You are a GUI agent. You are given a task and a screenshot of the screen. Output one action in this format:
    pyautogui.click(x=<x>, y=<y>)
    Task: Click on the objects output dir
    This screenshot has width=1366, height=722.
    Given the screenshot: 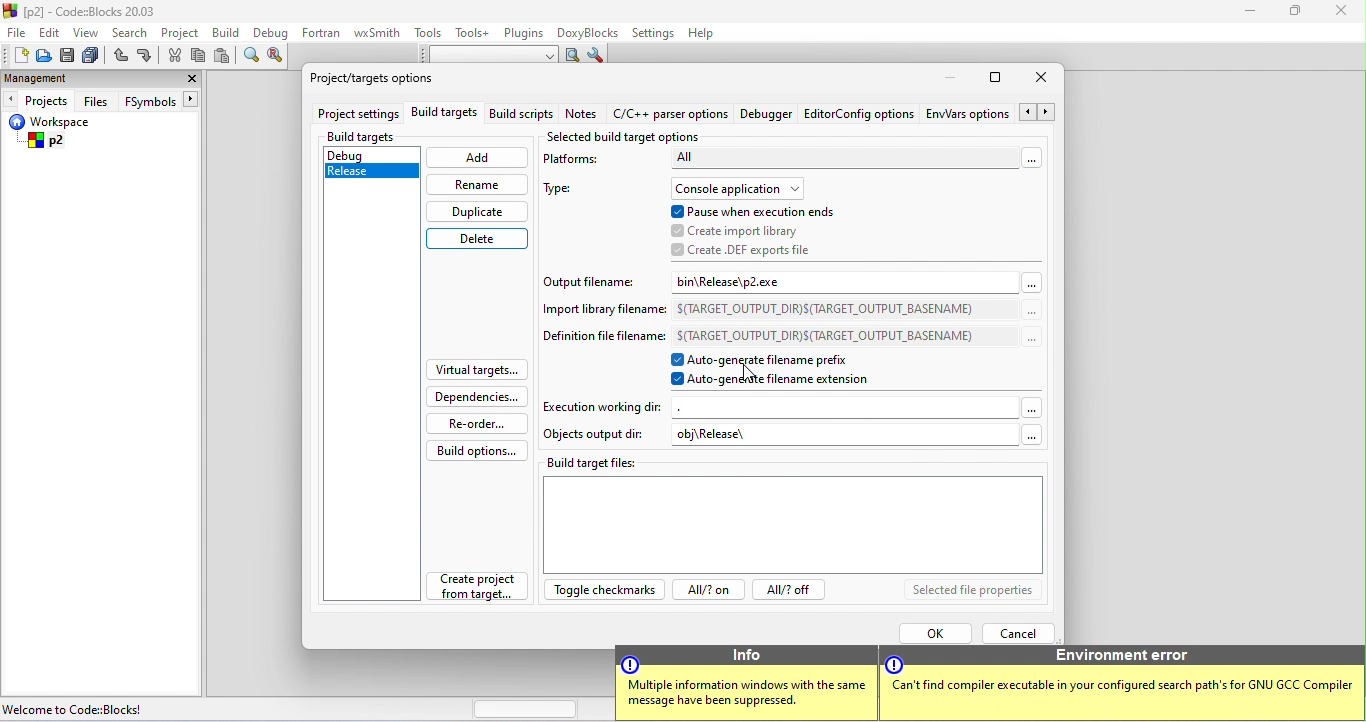 What is the action you would take?
    pyautogui.click(x=596, y=436)
    